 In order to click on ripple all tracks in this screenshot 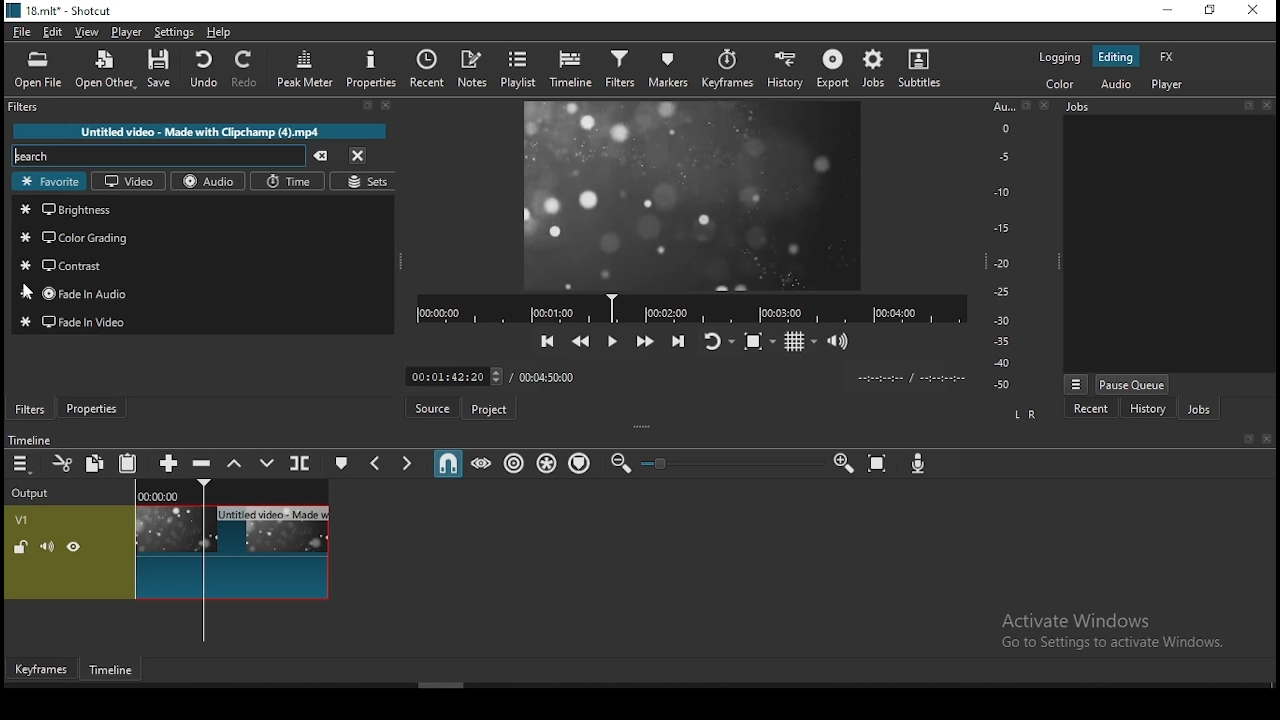, I will do `click(547, 463)`.